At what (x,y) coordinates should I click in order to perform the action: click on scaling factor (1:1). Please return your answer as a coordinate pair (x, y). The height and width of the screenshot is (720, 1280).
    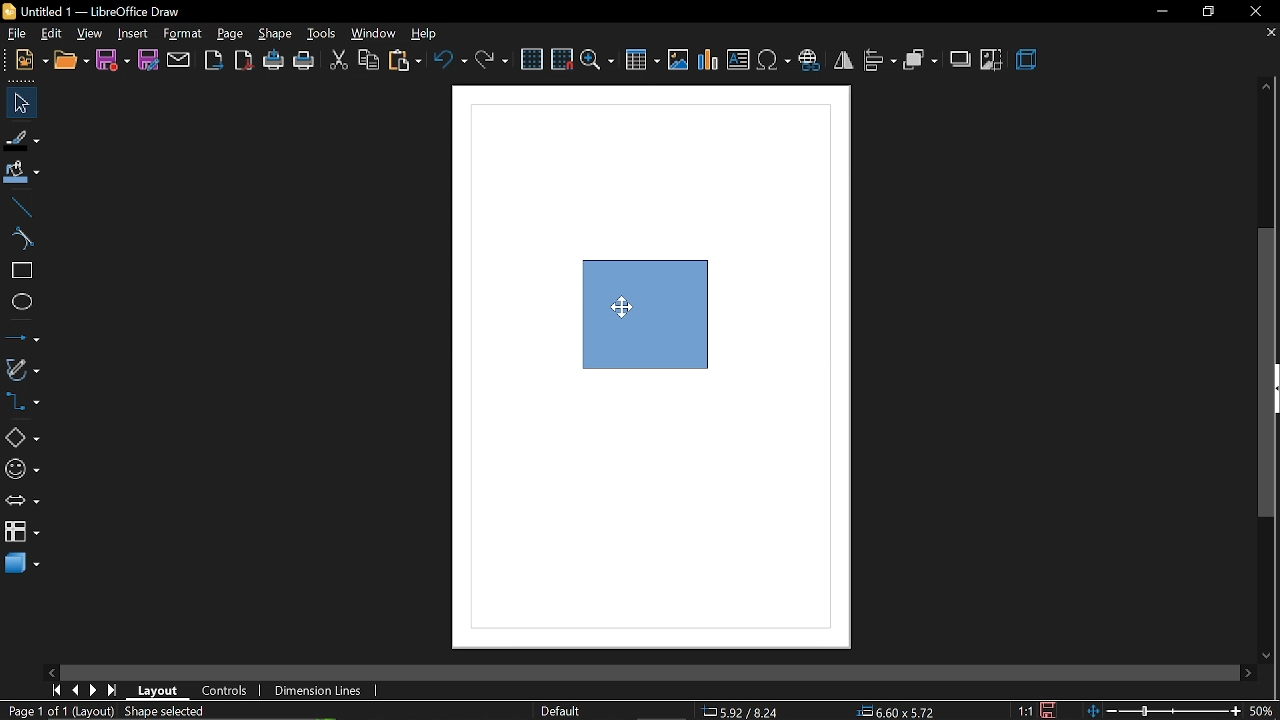
    Looking at the image, I should click on (1023, 710).